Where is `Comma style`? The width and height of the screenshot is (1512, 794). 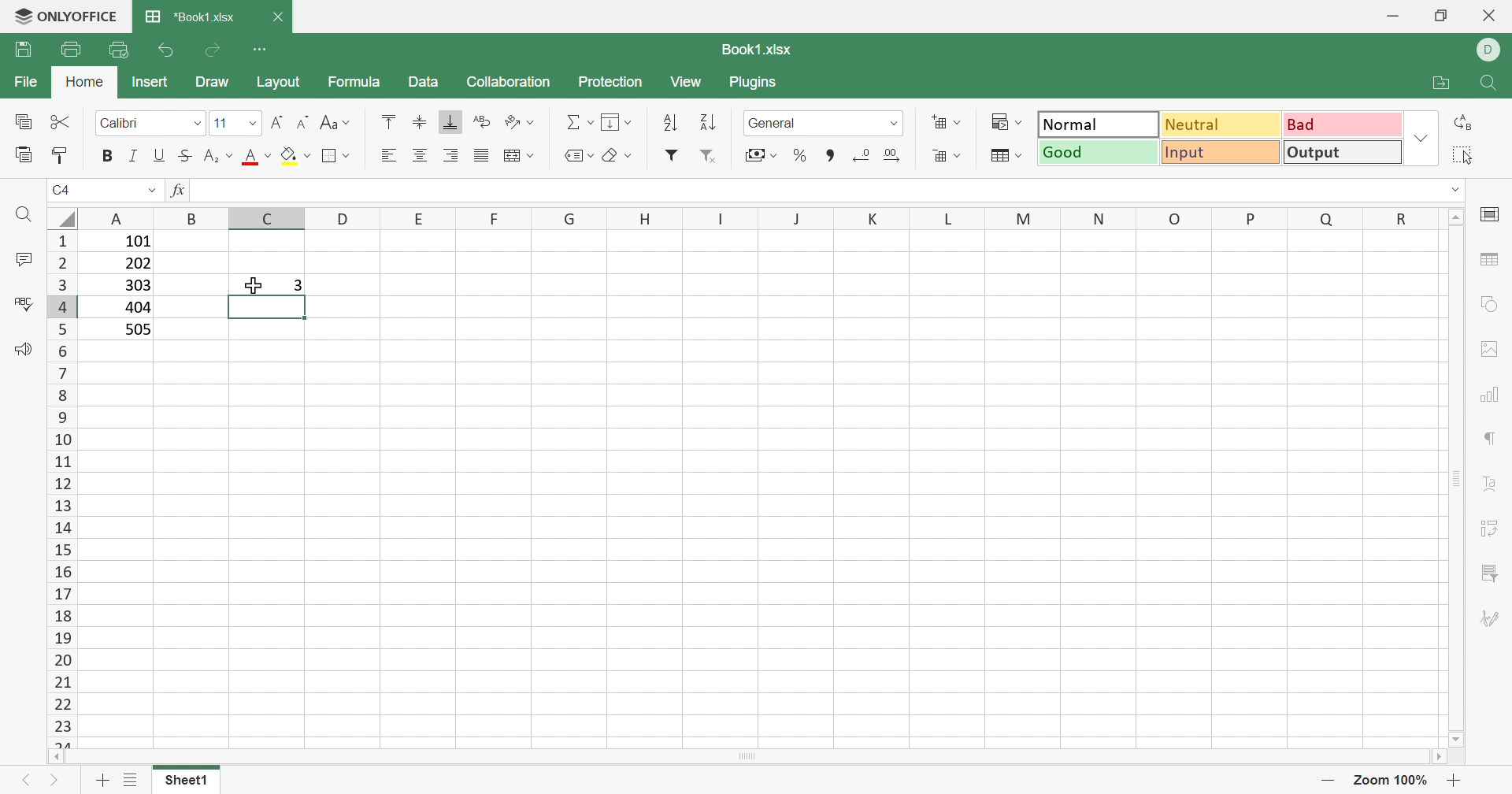 Comma style is located at coordinates (828, 157).